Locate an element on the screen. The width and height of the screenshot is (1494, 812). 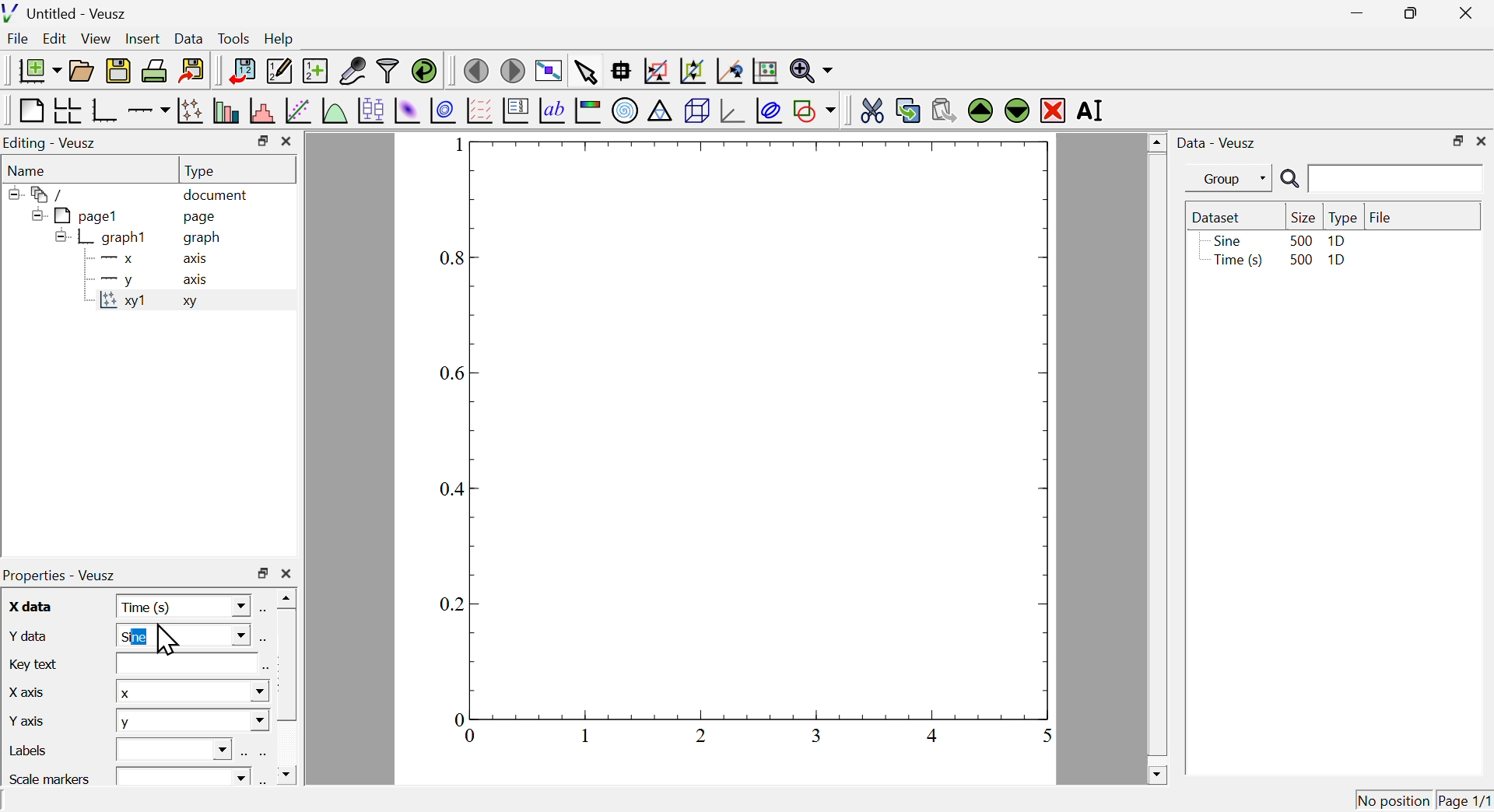
histogram of a dataset is located at coordinates (261, 110).